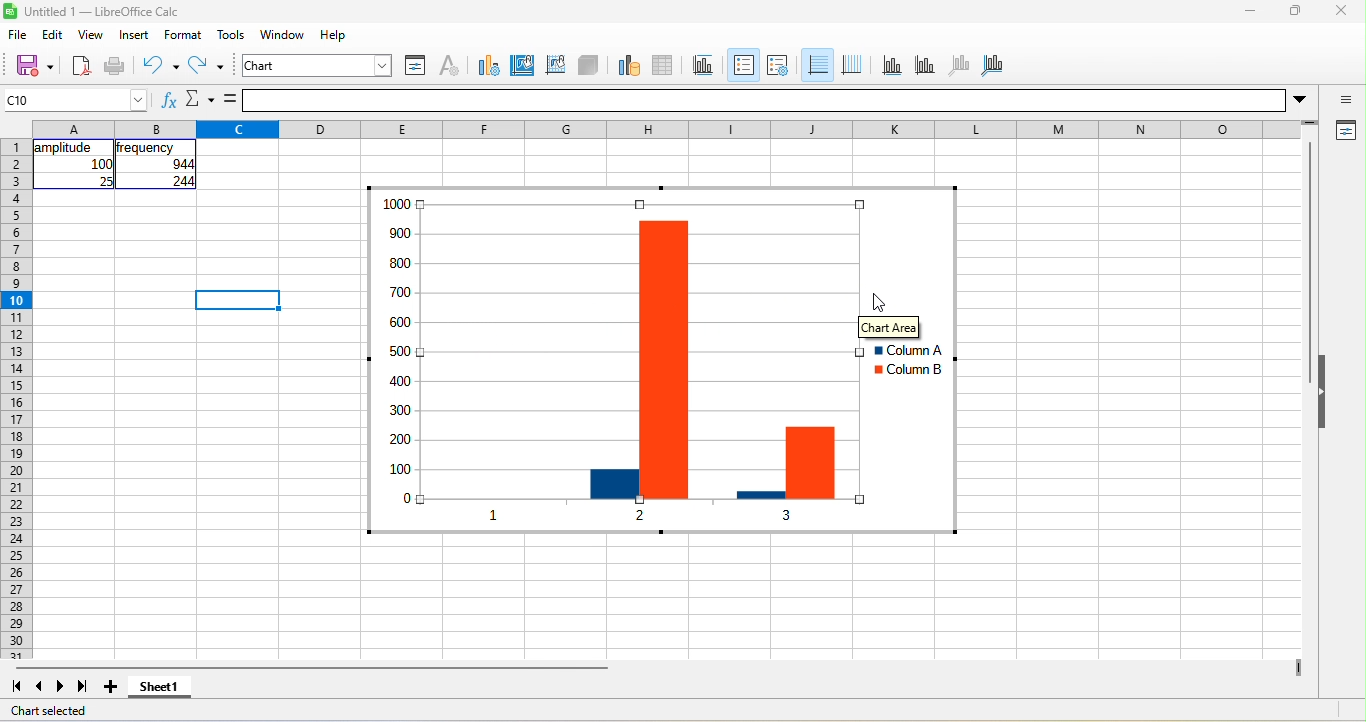  What do you see at coordinates (83, 687) in the screenshot?
I see `last sheet` at bounding box center [83, 687].